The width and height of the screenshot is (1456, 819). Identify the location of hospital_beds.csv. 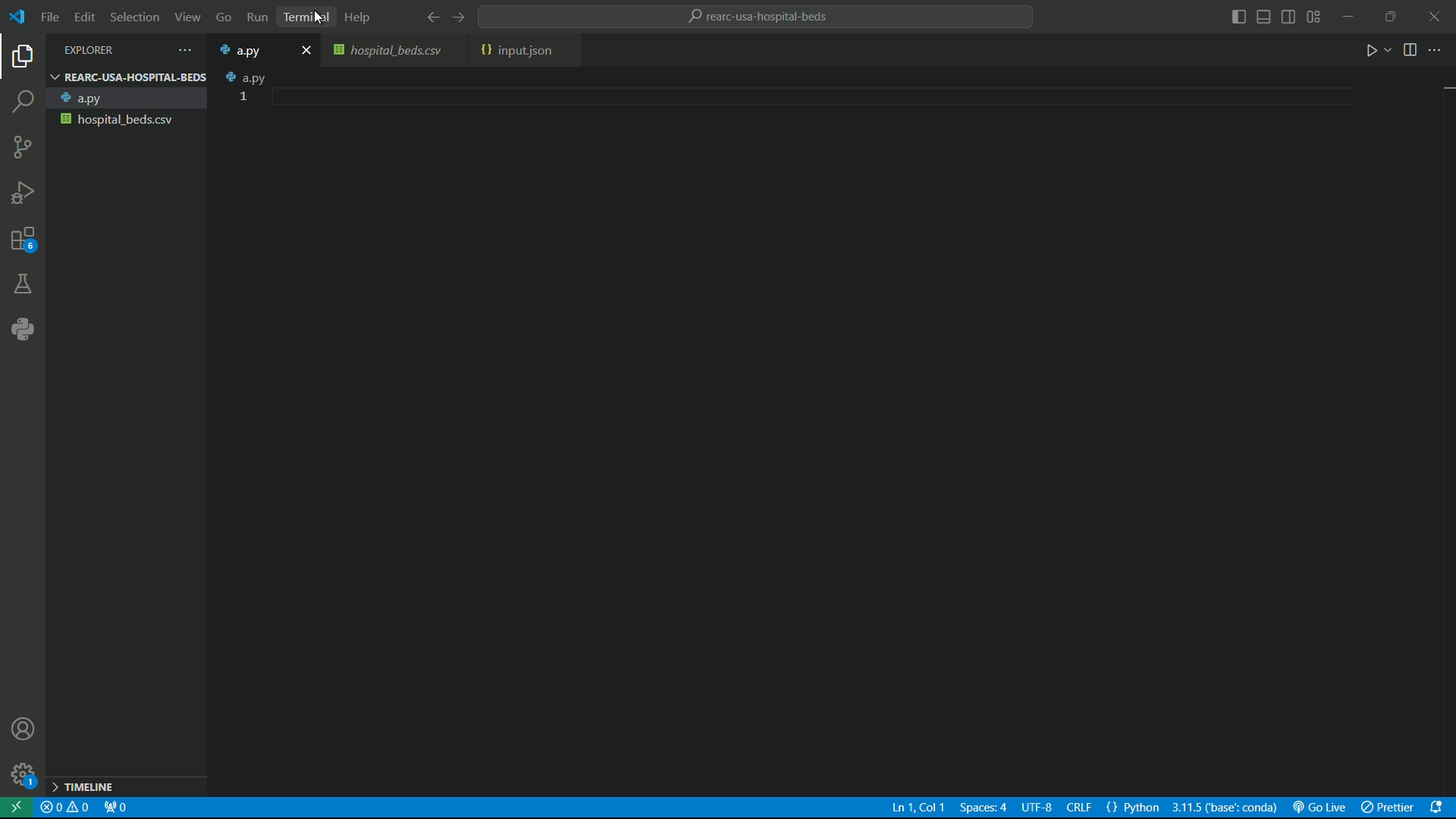
(391, 52).